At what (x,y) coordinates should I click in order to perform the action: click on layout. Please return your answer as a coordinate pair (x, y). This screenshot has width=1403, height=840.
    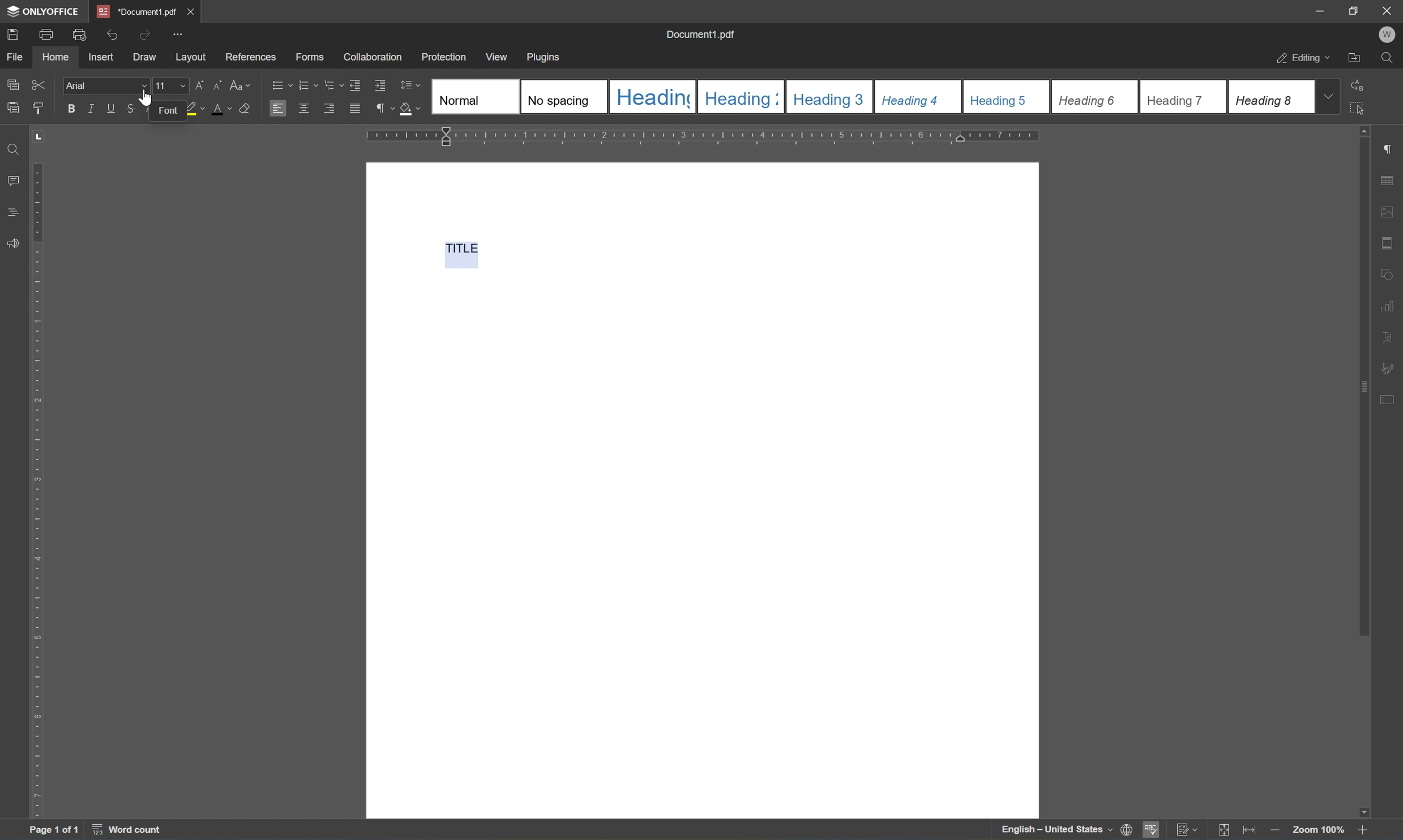
    Looking at the image, I should click on (190, 59).